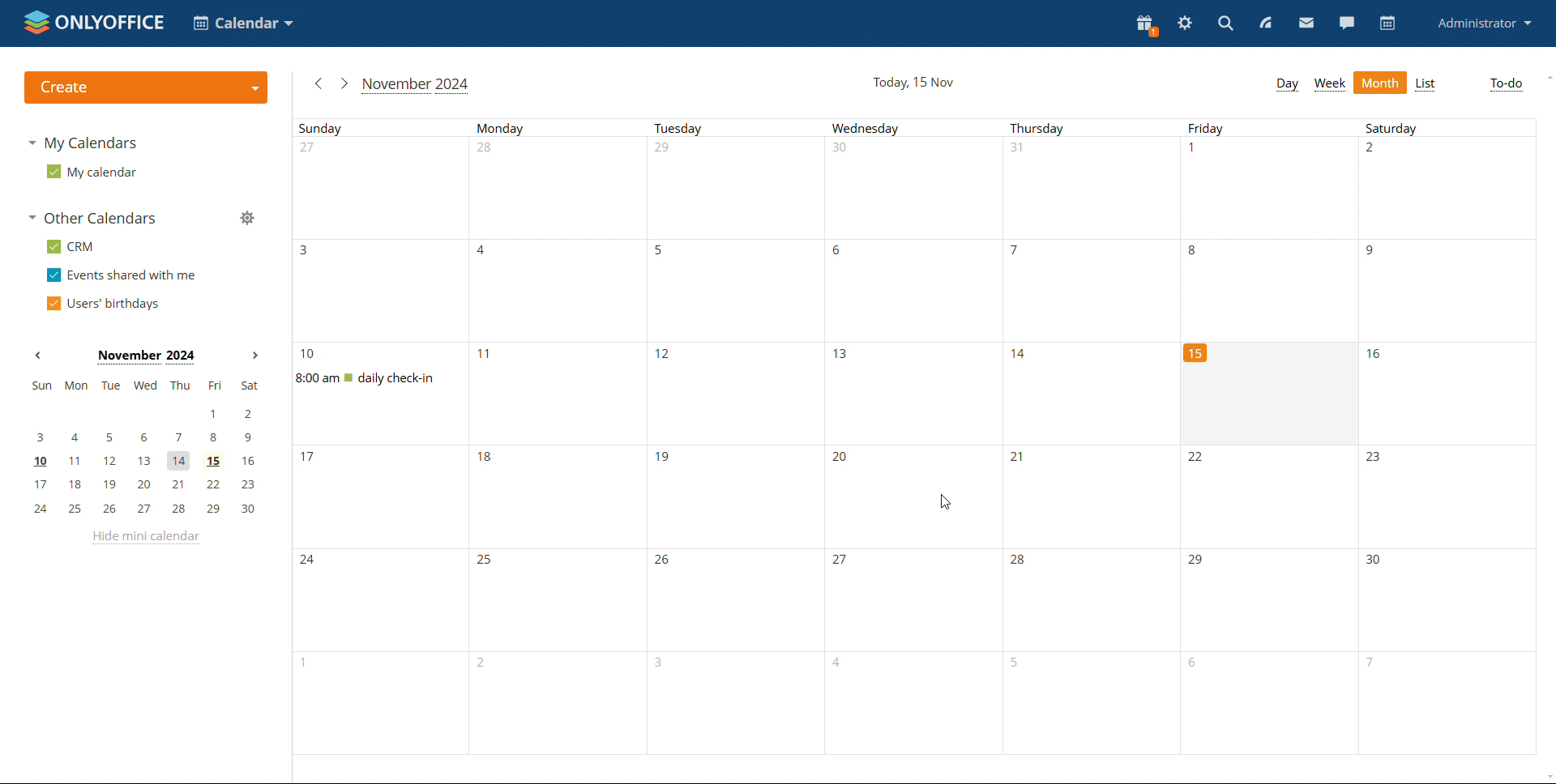 The height and width of the screenshot is (784, 1556). I want to click on feed, so click(1266, 23).